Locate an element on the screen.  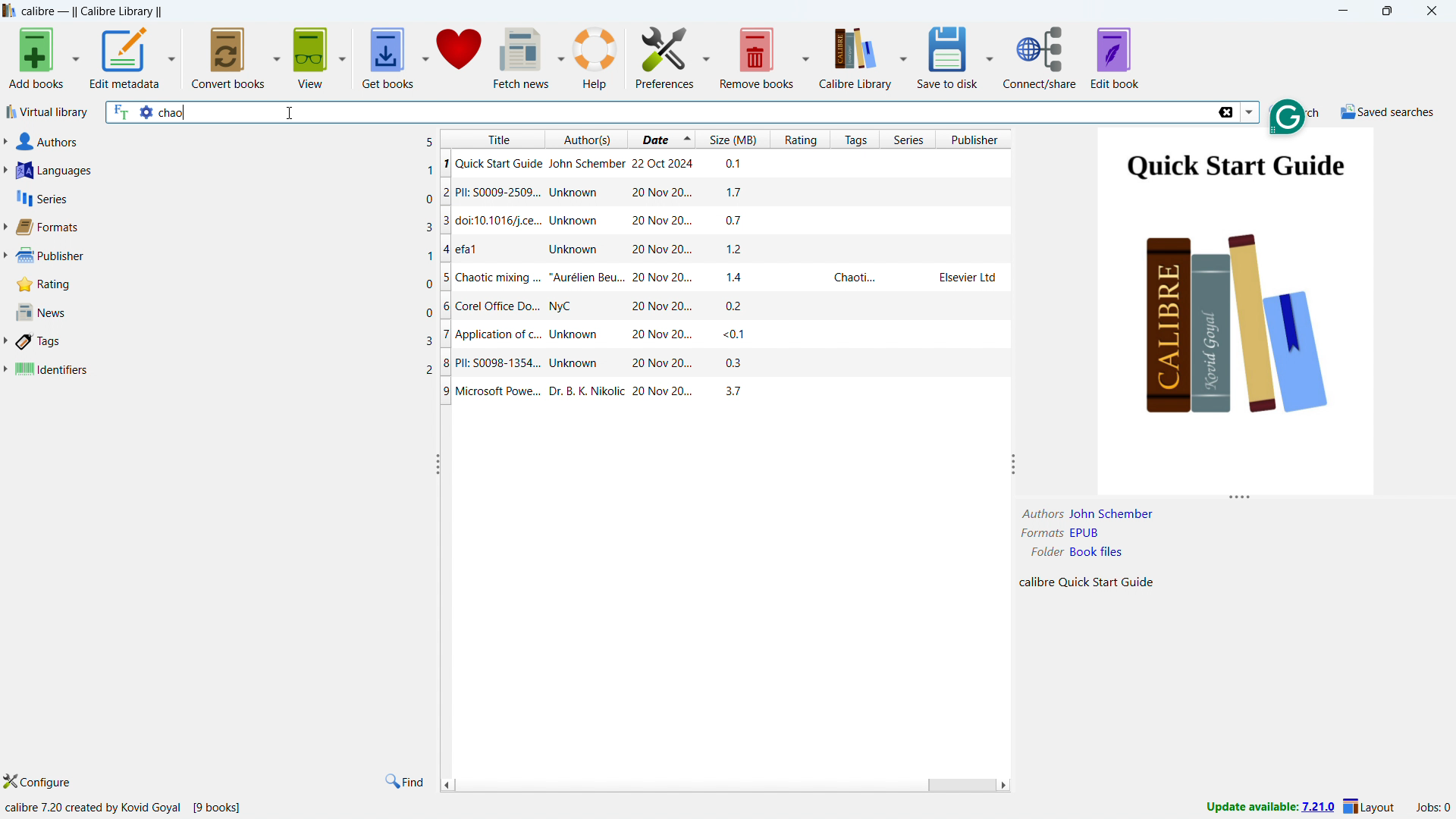
save to disk is located at coordinates (946, 57).